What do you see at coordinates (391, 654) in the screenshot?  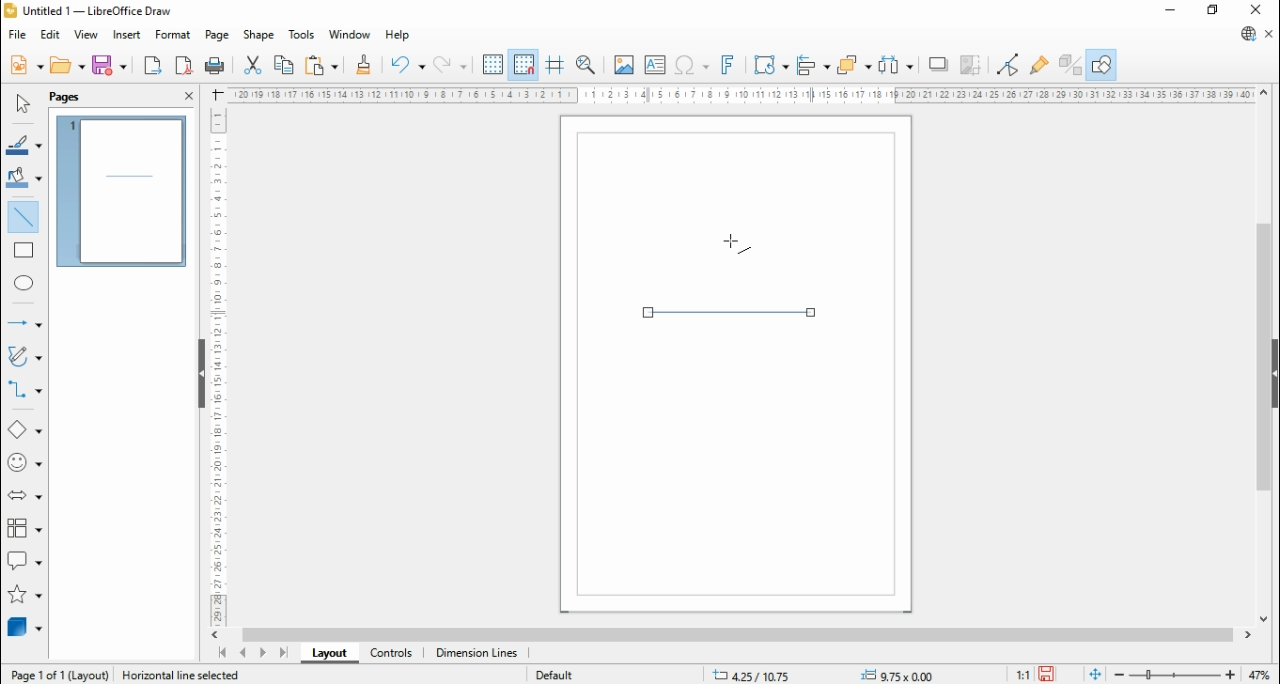 I see `controls` at bounding box center [391, 654].